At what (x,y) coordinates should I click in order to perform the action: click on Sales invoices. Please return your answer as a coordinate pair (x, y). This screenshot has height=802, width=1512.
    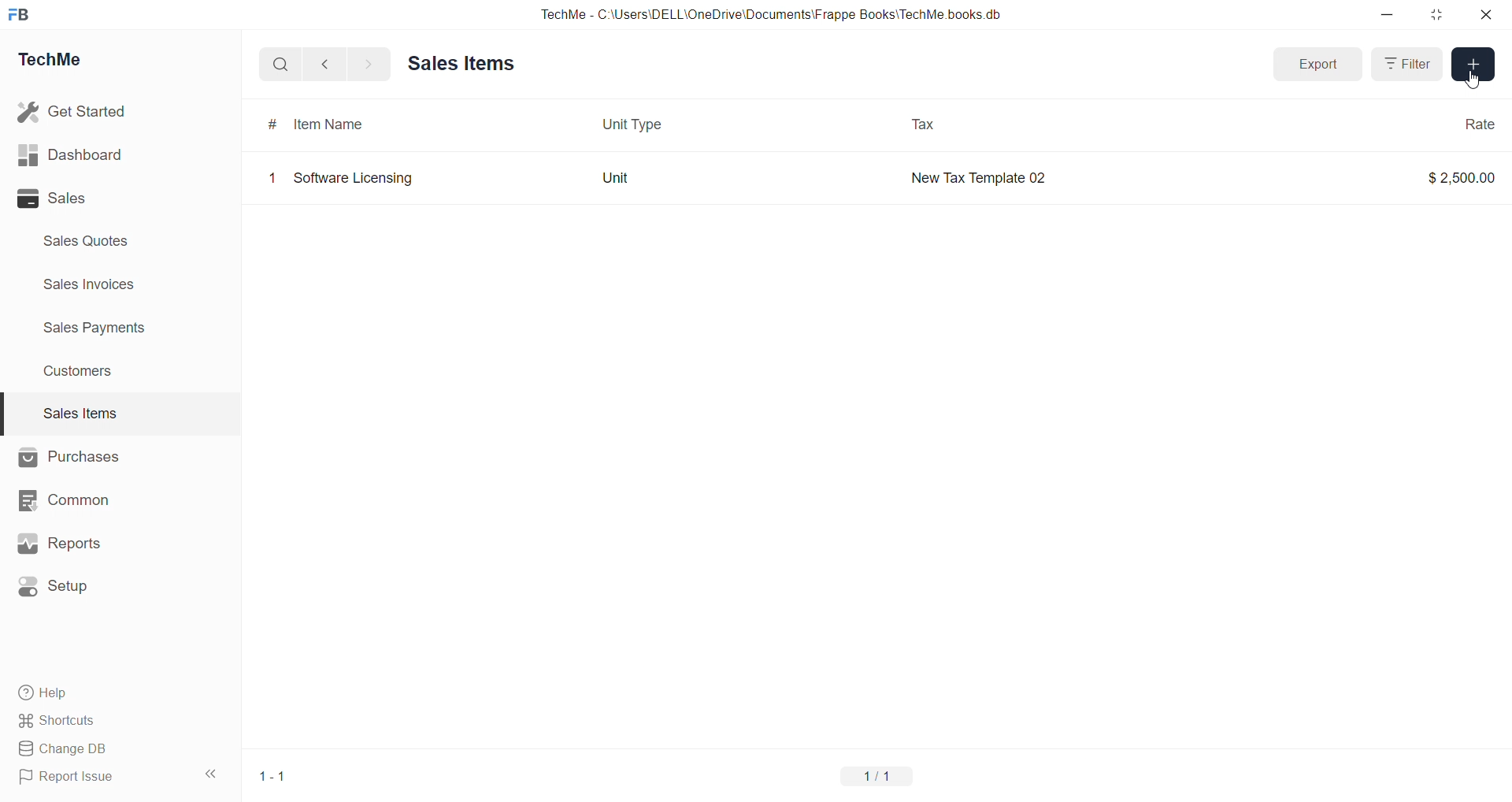
    Looking at the image, I should click on (92, 284).